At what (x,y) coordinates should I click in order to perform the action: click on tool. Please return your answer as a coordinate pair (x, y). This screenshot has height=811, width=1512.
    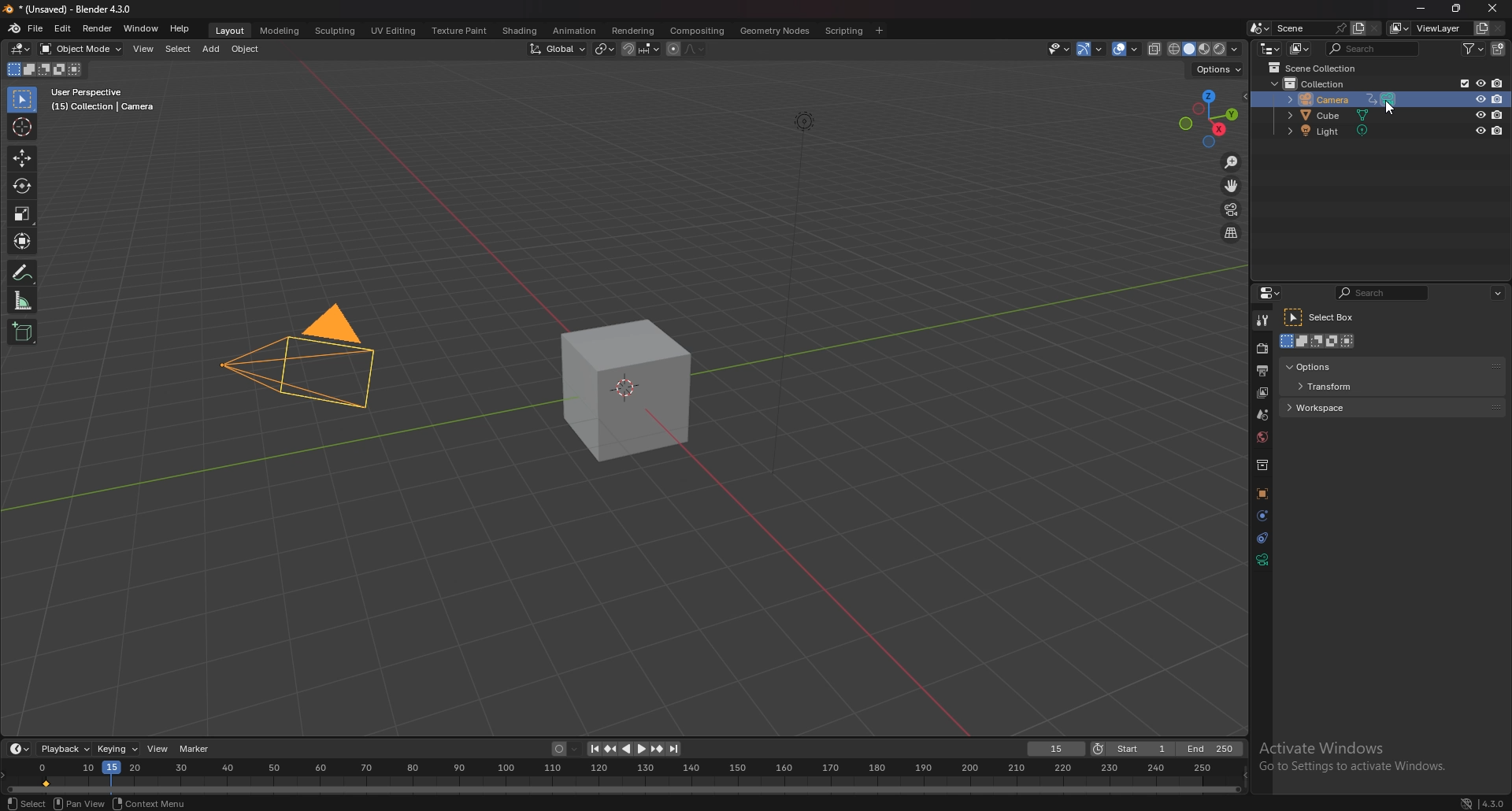
    Looking at the image, I should click on (1262, 320).